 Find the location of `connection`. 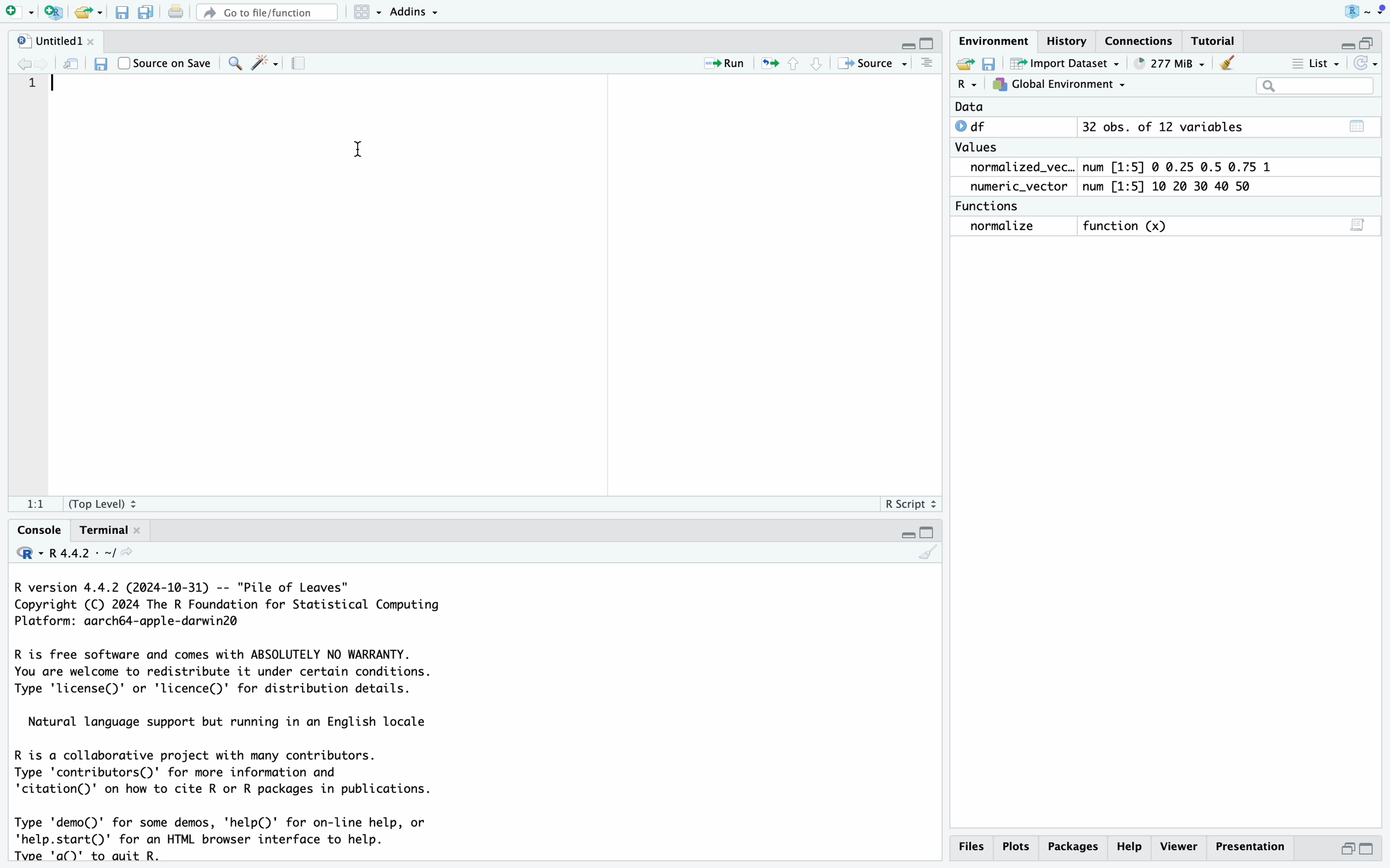

connection is located at coordinates (1144, 41).